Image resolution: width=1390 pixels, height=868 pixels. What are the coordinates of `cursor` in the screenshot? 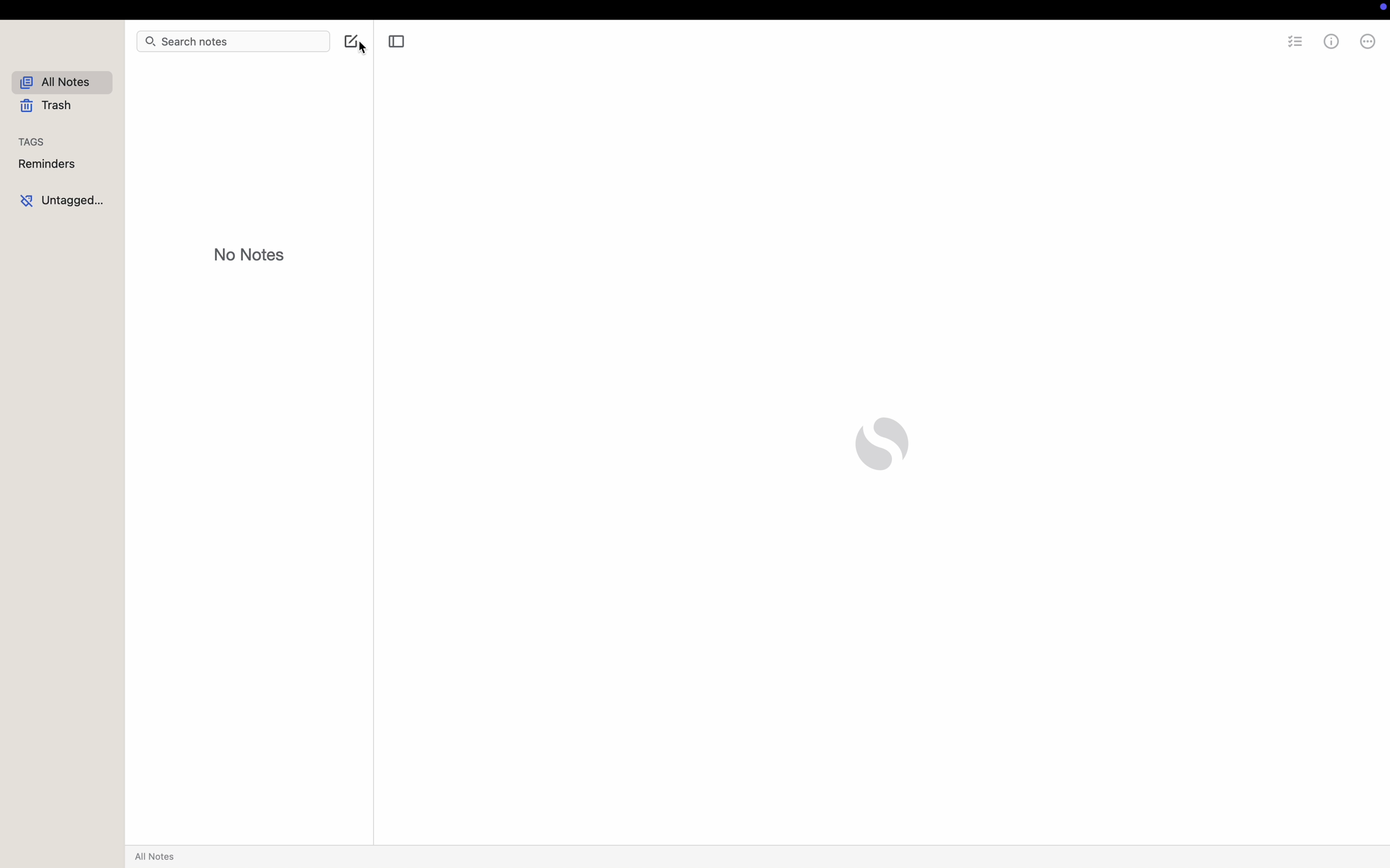 It's located at (363, 50).